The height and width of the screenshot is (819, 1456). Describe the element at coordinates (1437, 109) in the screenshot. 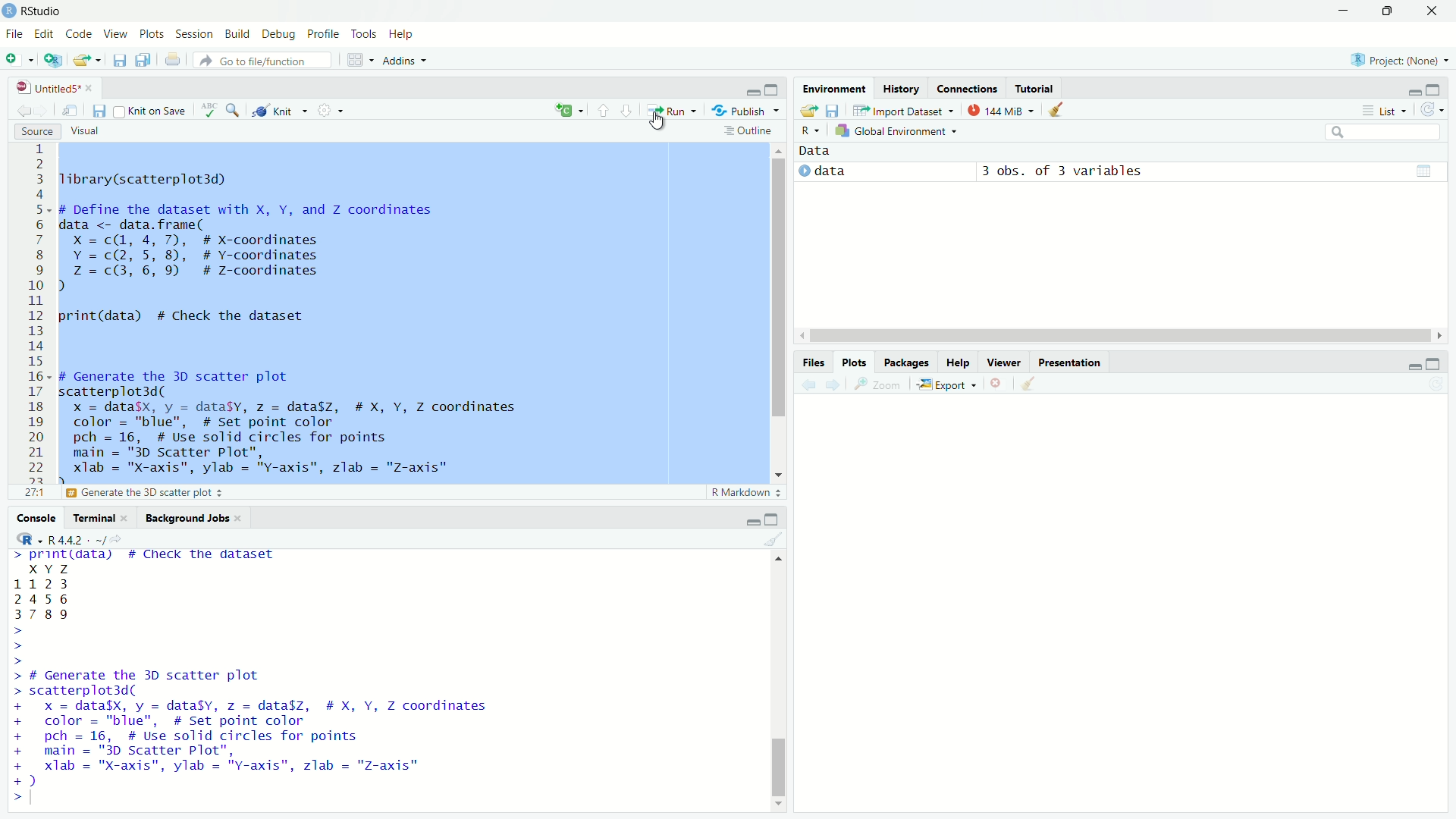

I see `refresh the list of objects in the environment` at that location.